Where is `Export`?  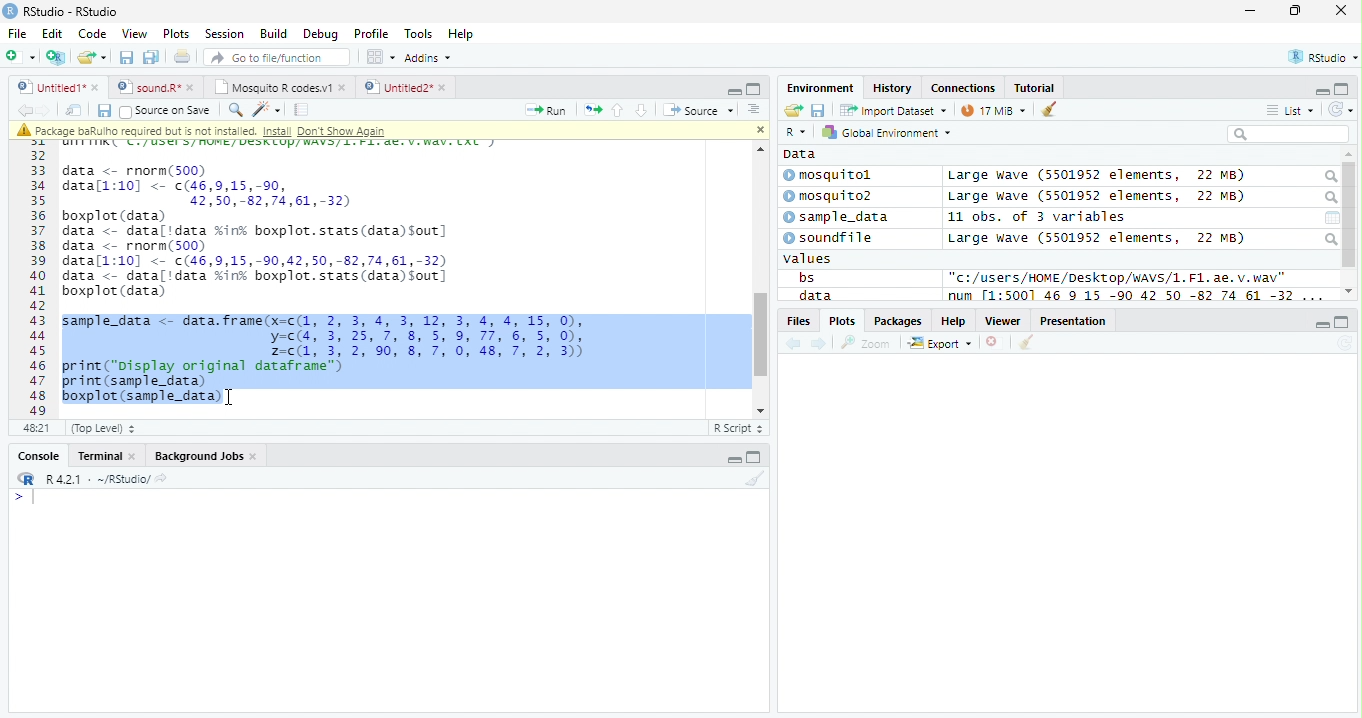 Export is located at coordinates (940, 344).